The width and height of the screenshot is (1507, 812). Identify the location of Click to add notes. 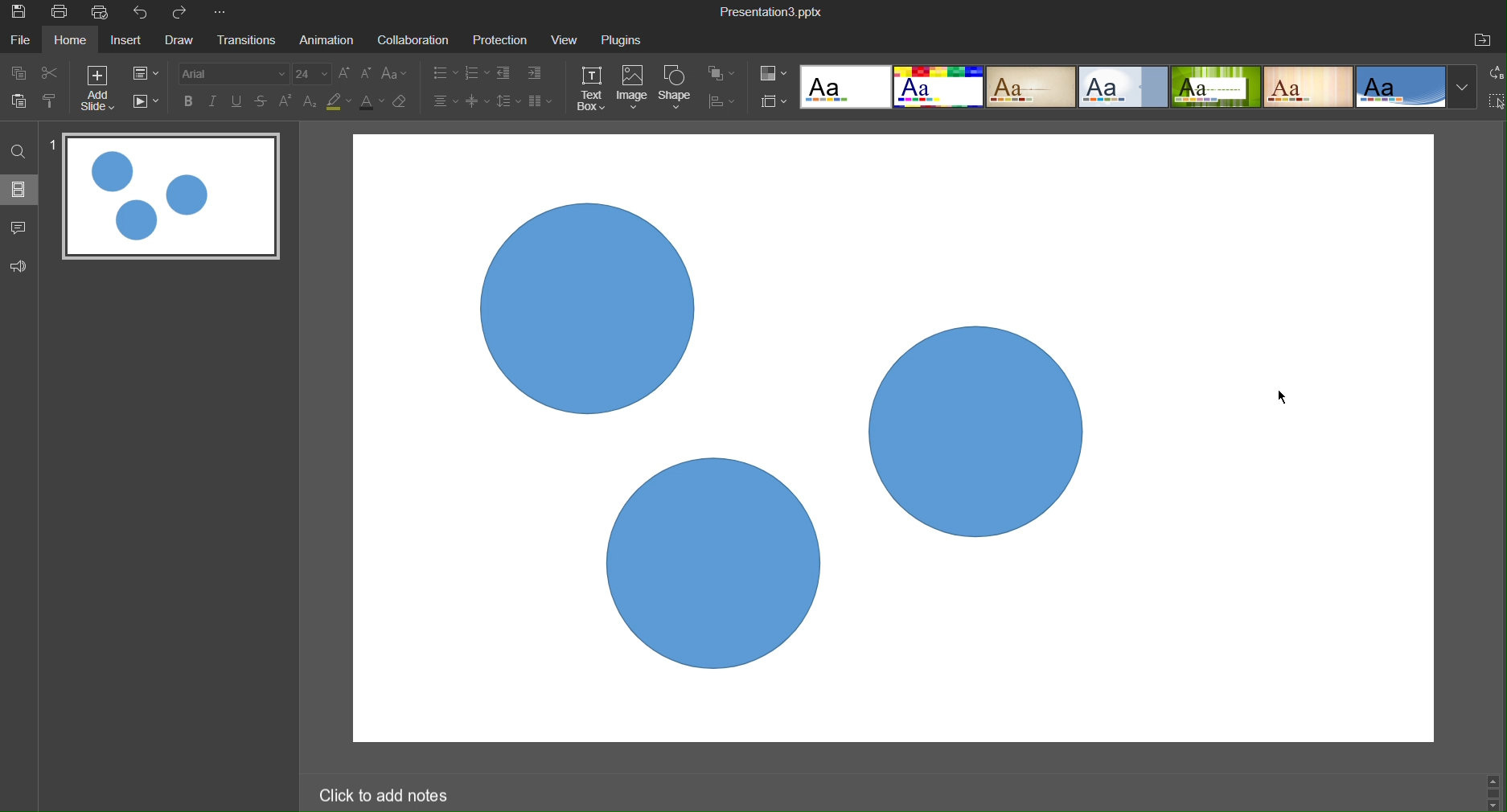
(387, 794).